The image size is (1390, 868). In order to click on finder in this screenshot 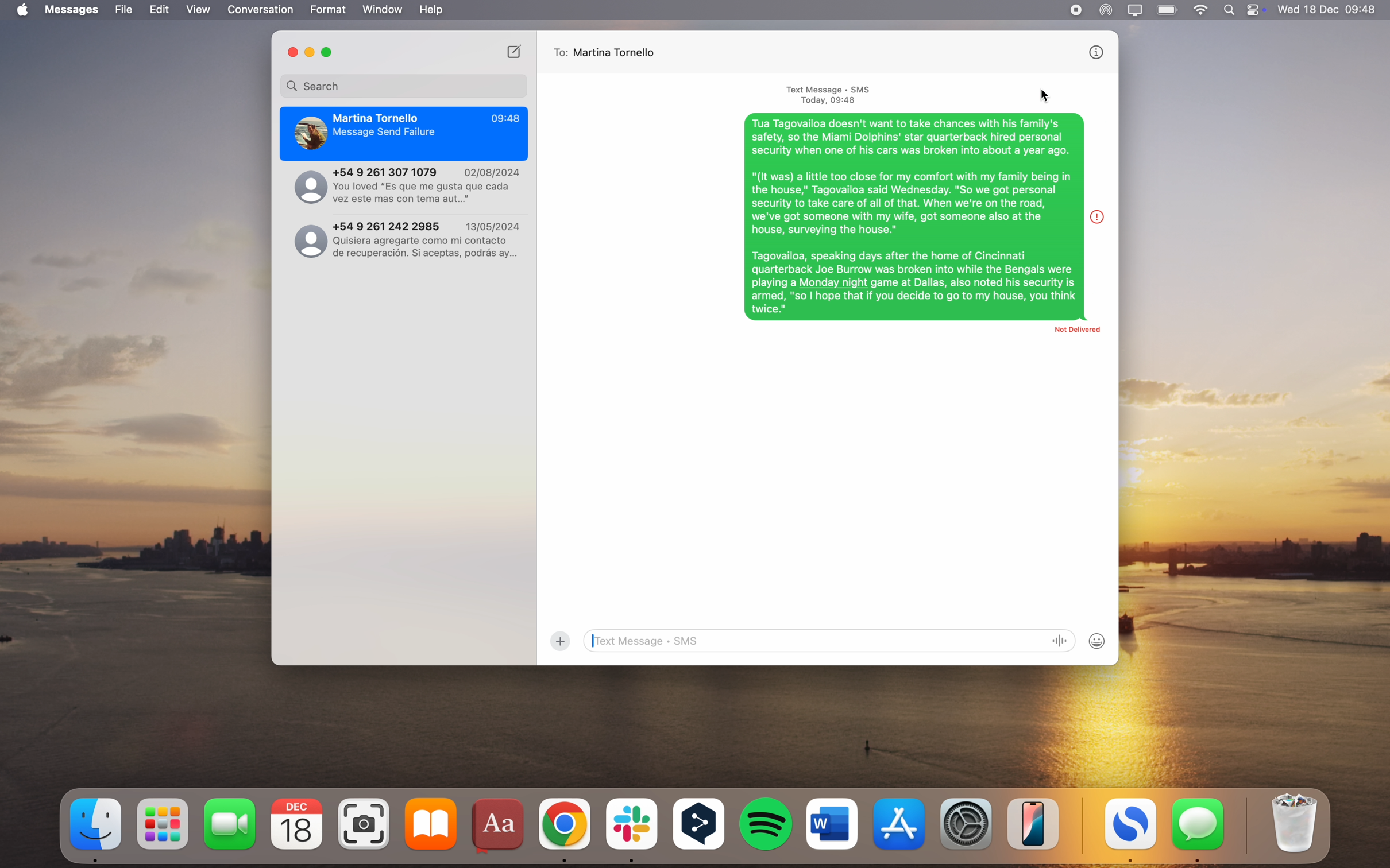, I will do `click(97, 829)`.